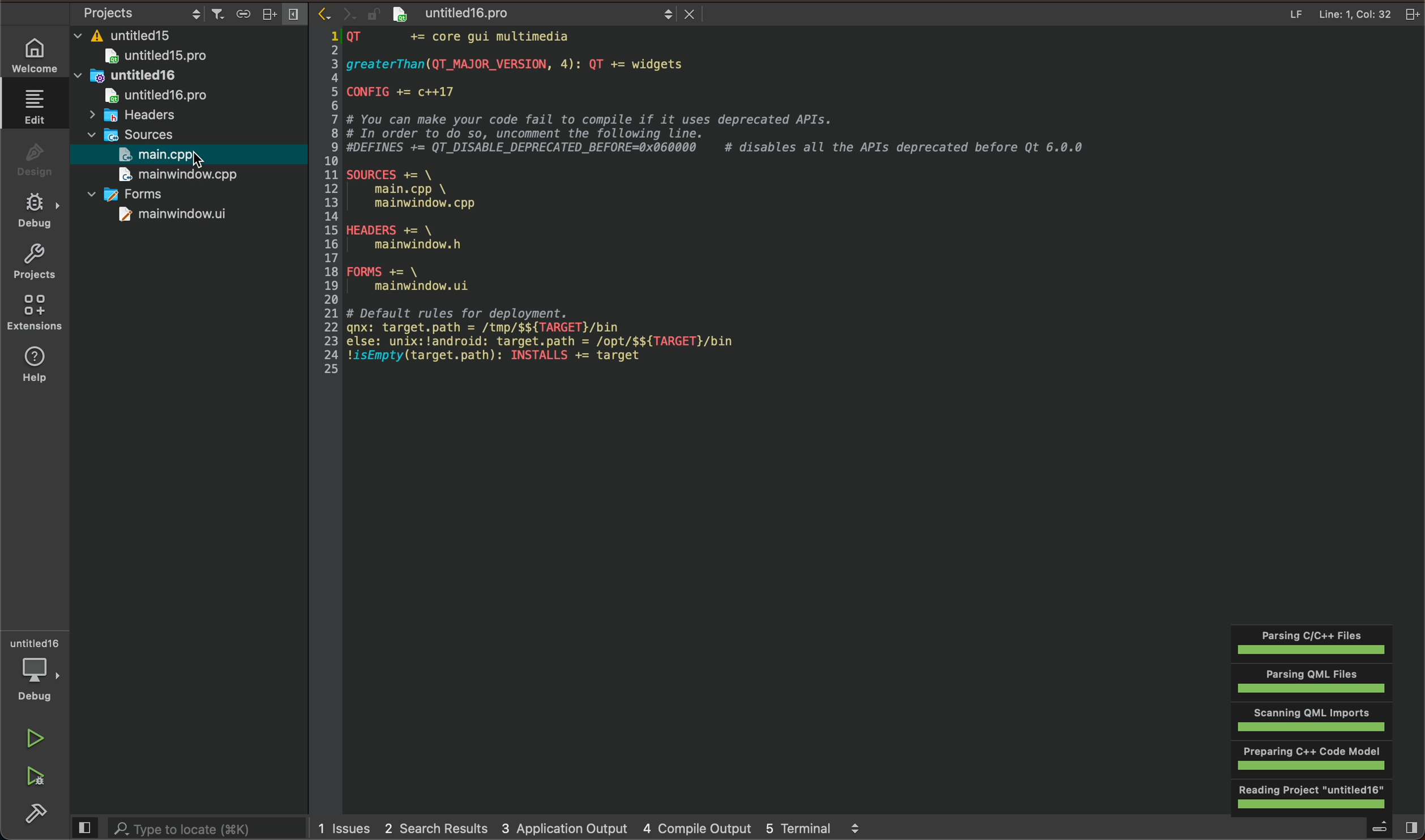  Describe the element at coordinates (161, 96) in the screenshot. I see `untitledpro` at that location.